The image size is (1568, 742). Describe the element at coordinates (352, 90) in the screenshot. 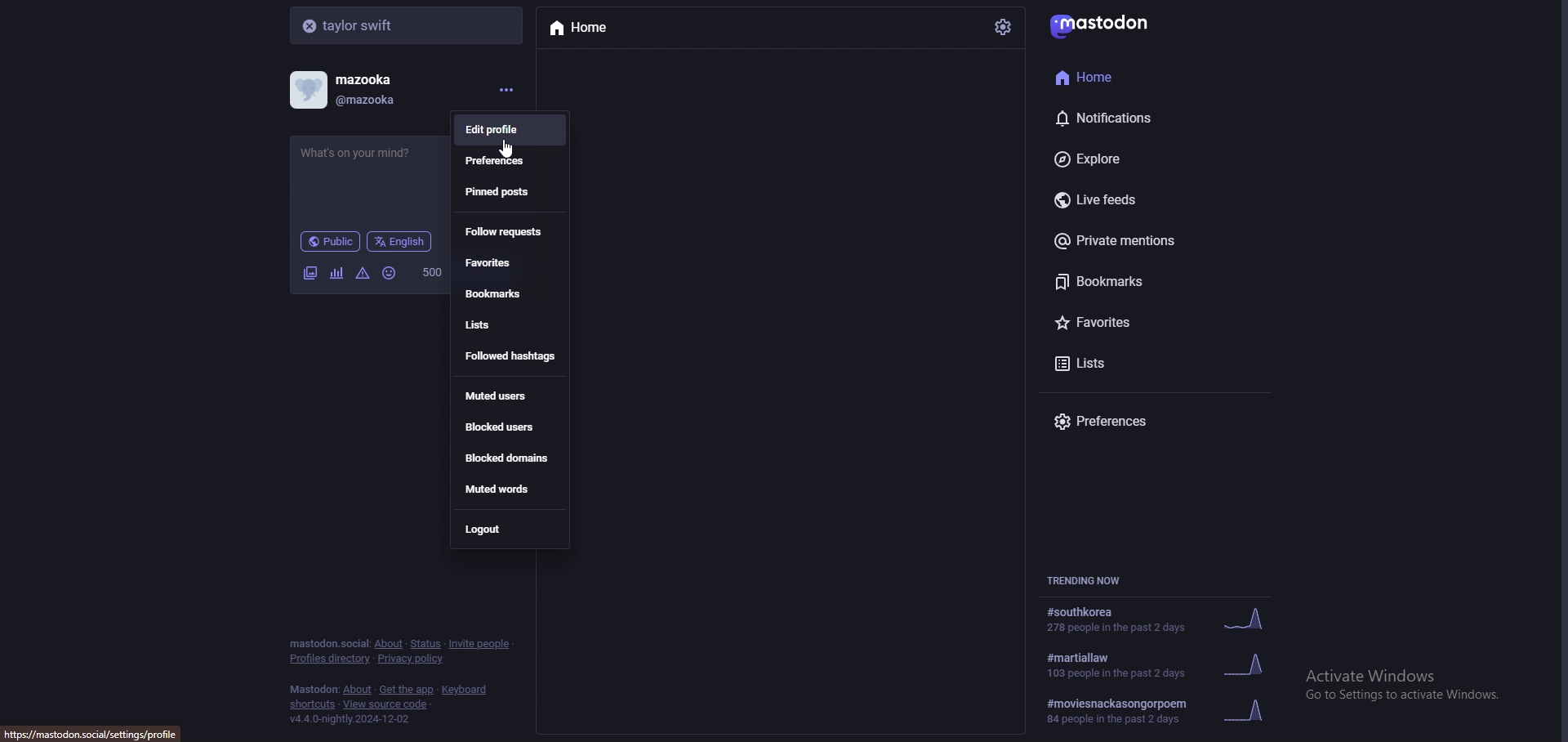

I see `profile` at that location.